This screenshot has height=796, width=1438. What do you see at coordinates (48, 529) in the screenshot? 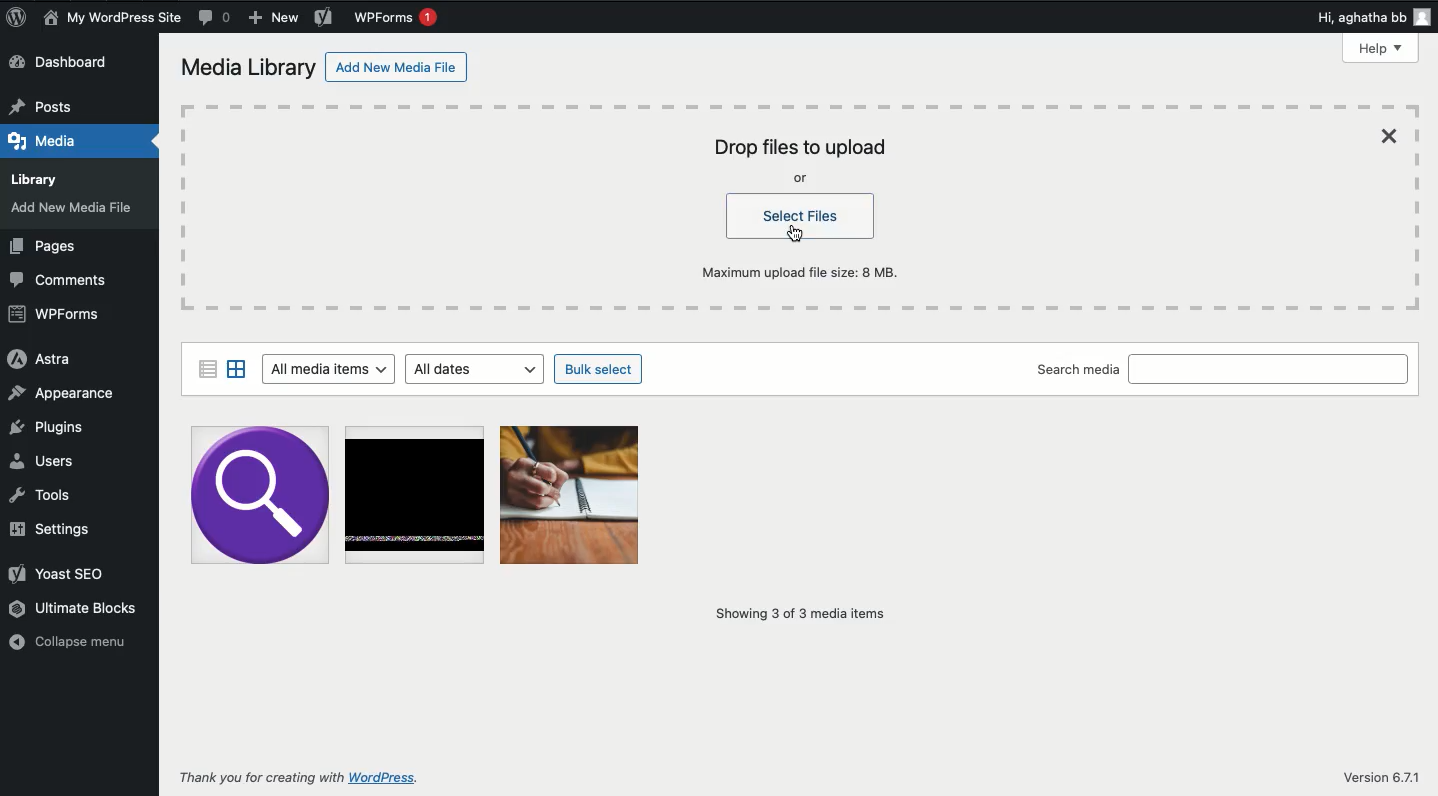
I see `Settings` at bounding box center [48, 529].